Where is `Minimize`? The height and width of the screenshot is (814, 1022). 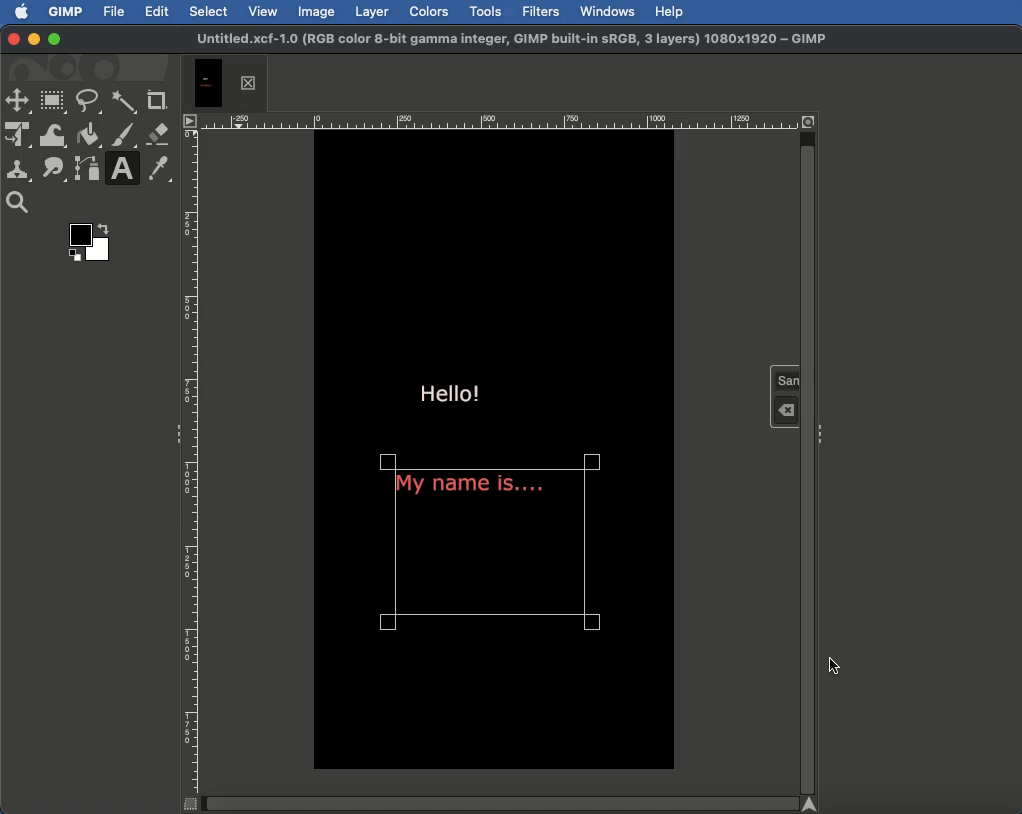 Minimize is located at coordinates (32, 40).